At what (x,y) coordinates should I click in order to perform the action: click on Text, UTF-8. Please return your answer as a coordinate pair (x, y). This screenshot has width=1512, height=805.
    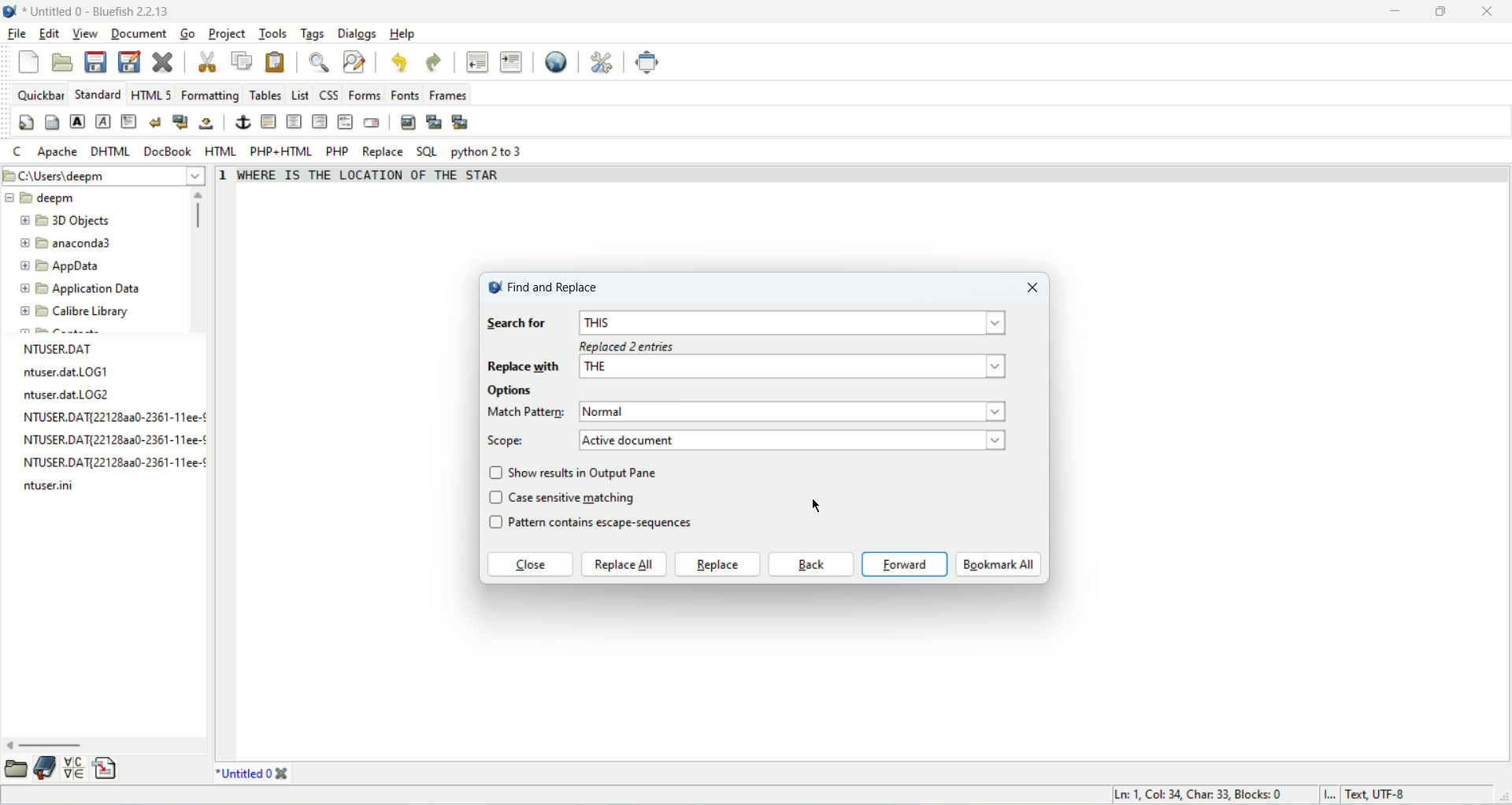
    Looking at the image, I should click on (1373, 796).